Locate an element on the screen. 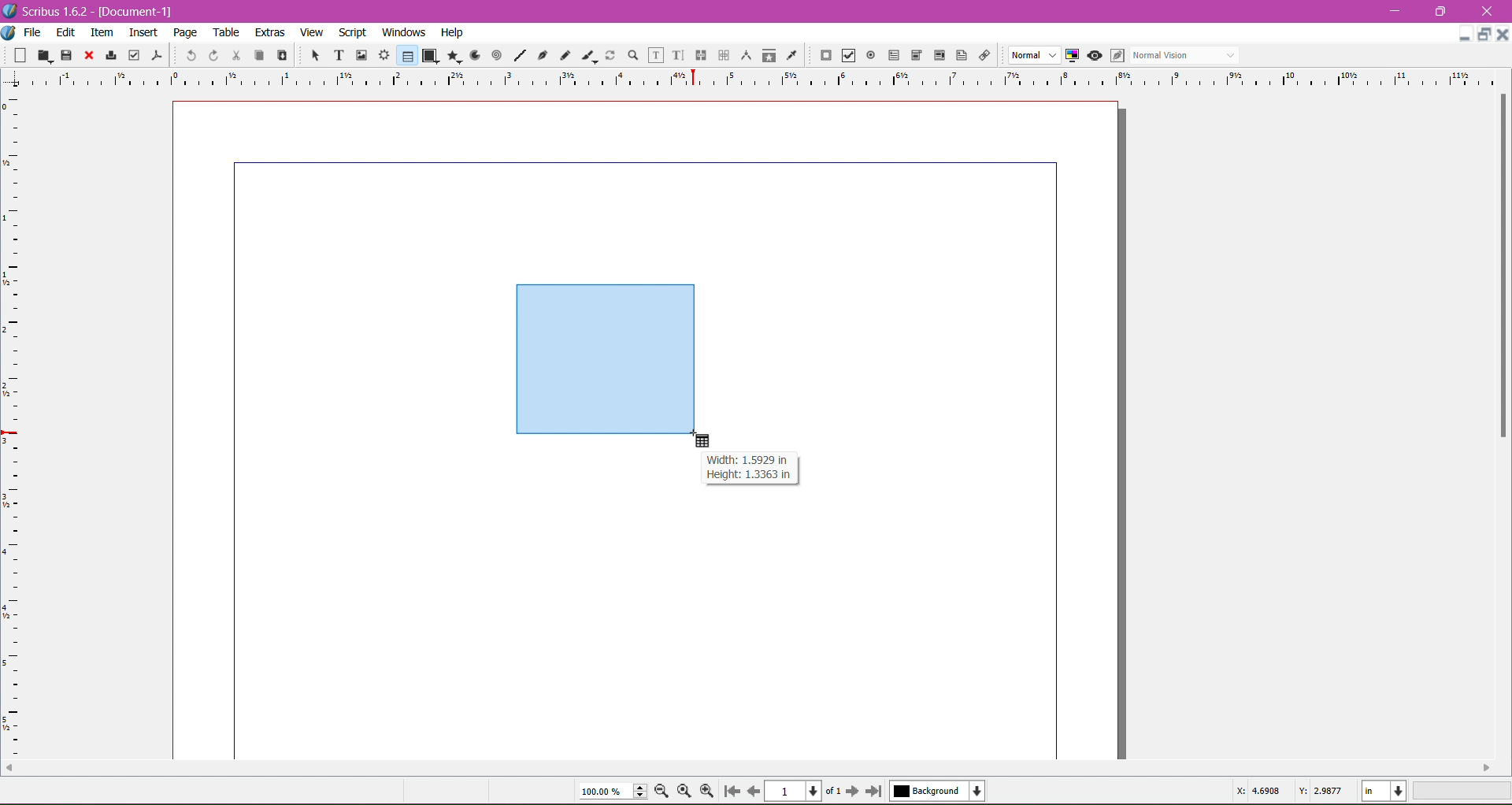  Minimize is located at coordinates (1399, 9).